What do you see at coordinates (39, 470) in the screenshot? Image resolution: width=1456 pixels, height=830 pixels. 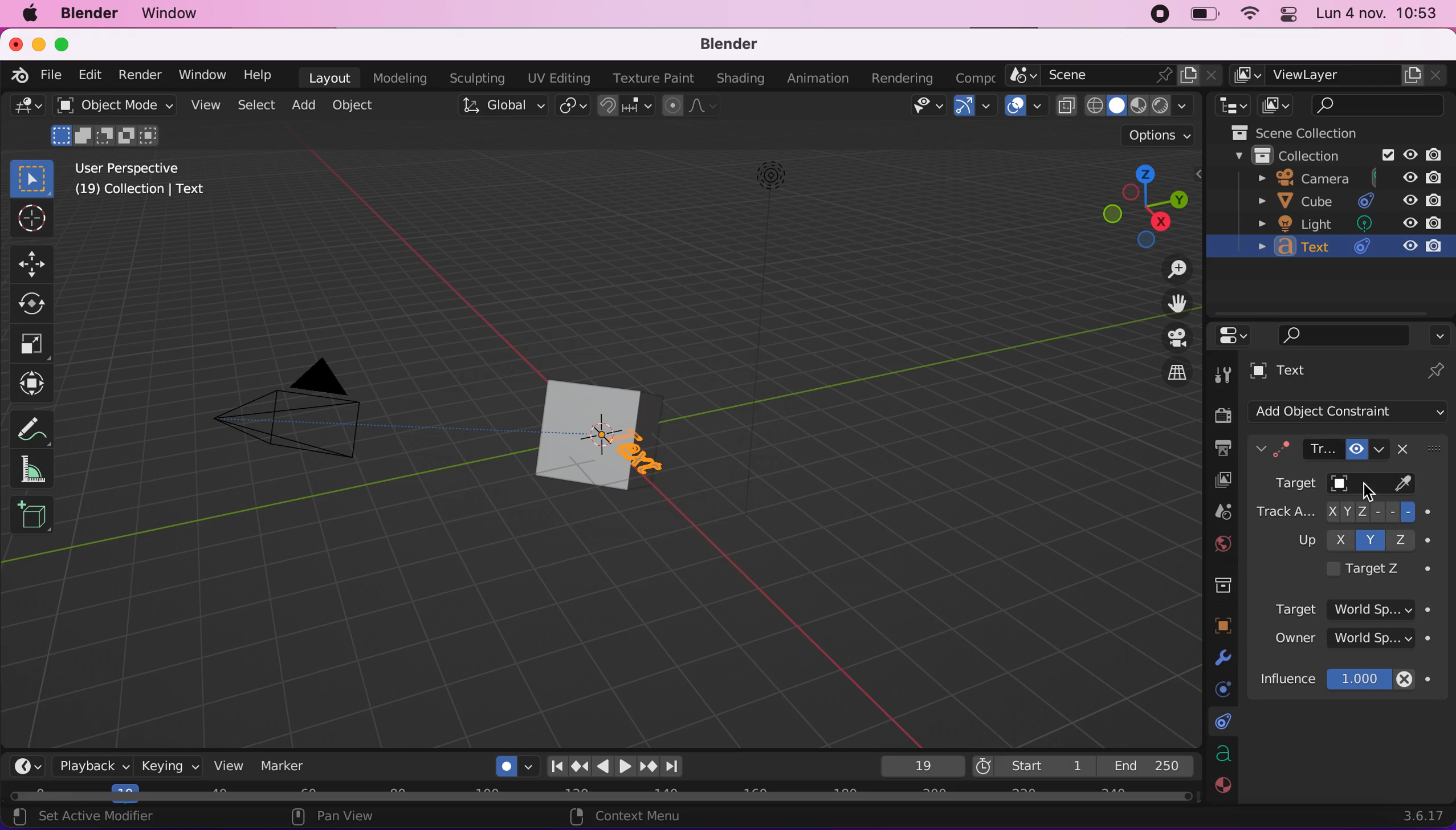 I see `measure` at bounding box center [39, 470].